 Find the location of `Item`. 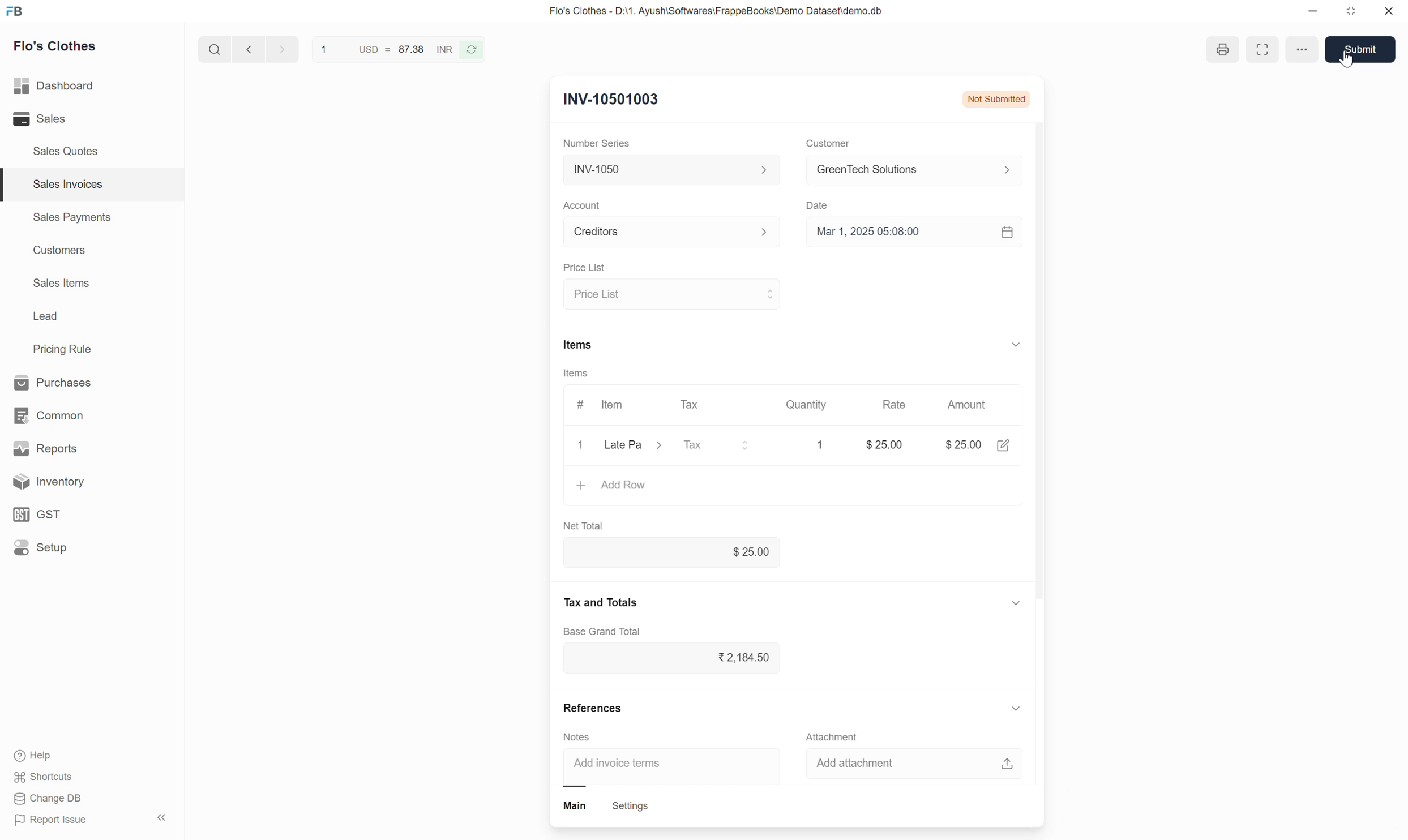

Item is located at coordinates (614, 405).